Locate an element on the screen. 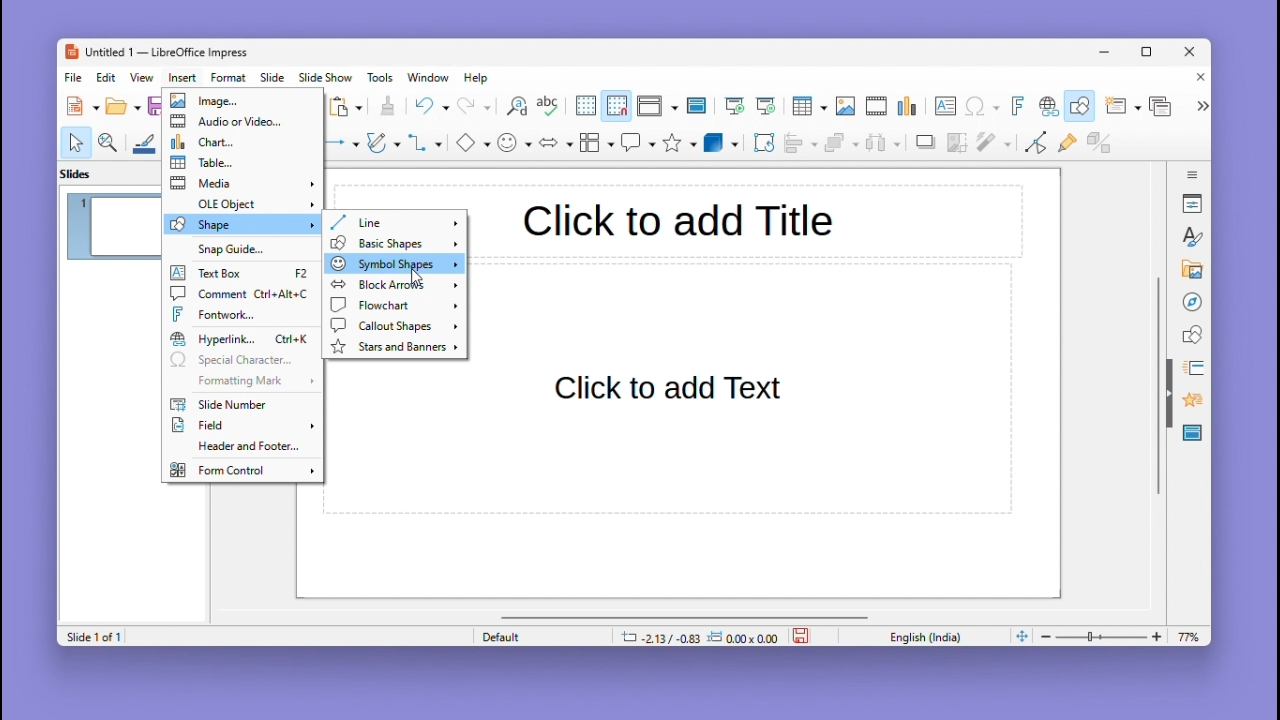 The image size is (1280, 720). Display views is located at coordinates (655, 106).